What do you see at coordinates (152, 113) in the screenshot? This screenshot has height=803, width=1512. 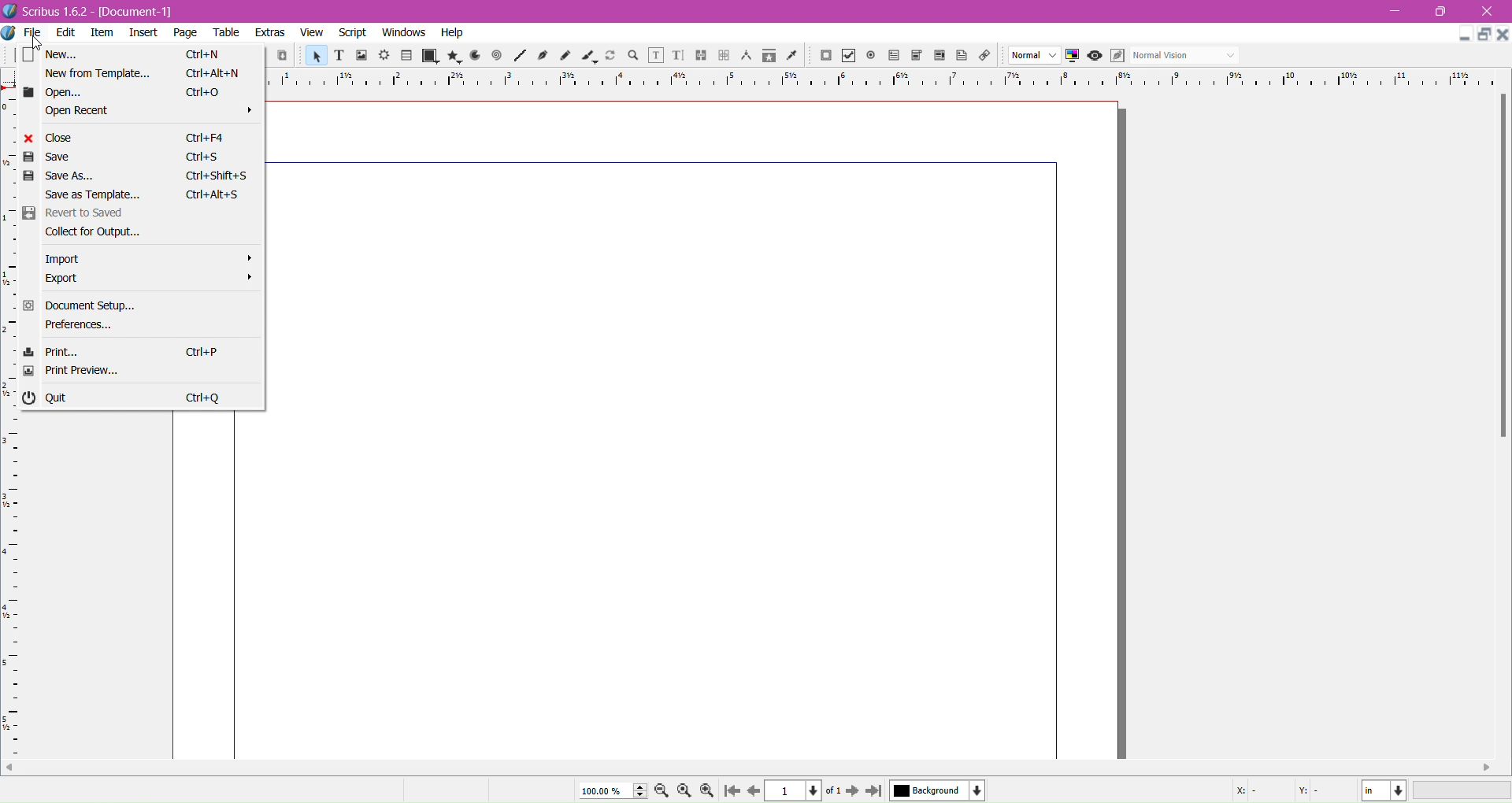 I see `Open Recent` at bounding box center [152, 113].